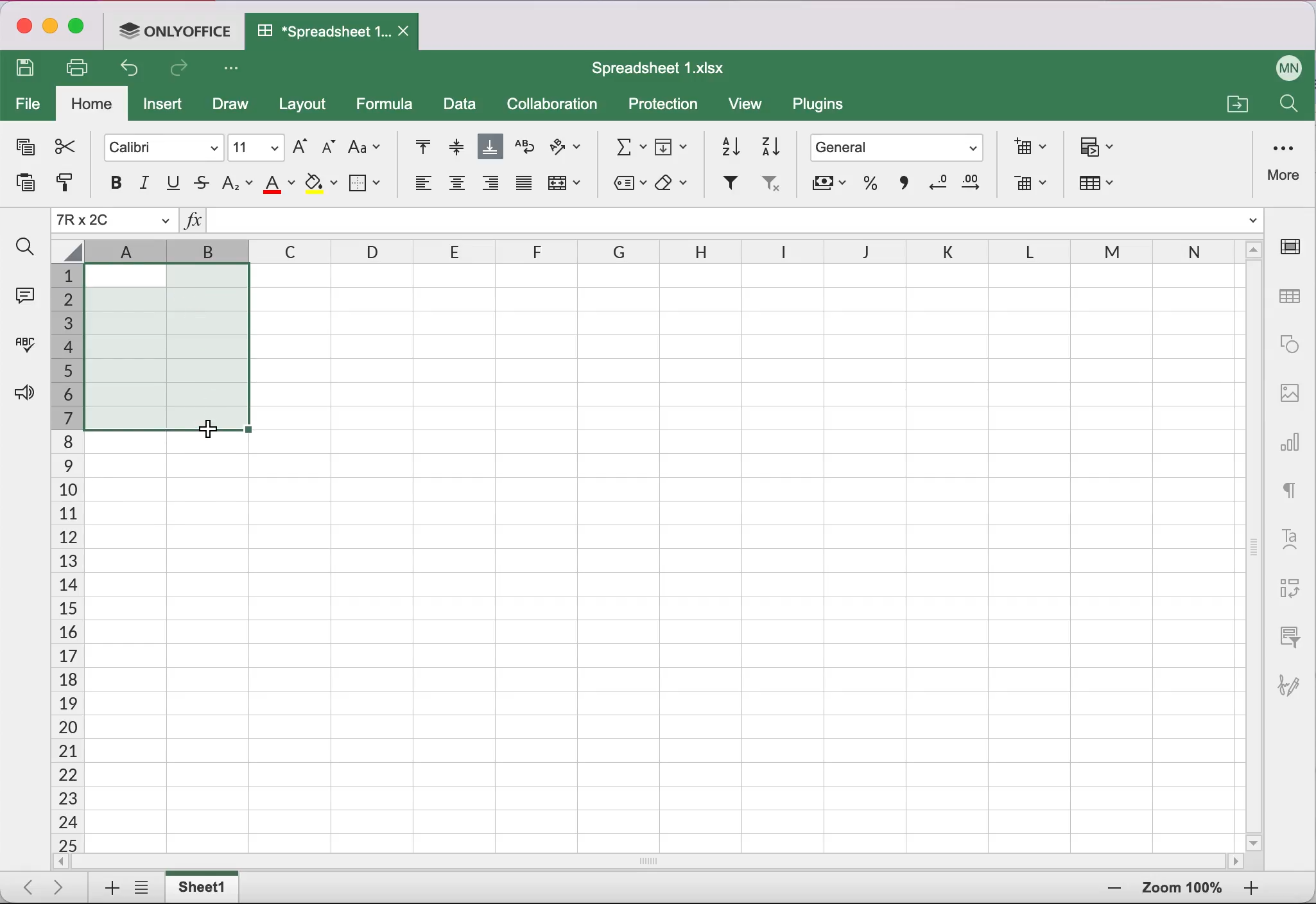  Describe the element at coordinates (202, 184) in the screenshot. I see `striketrough` at that location.